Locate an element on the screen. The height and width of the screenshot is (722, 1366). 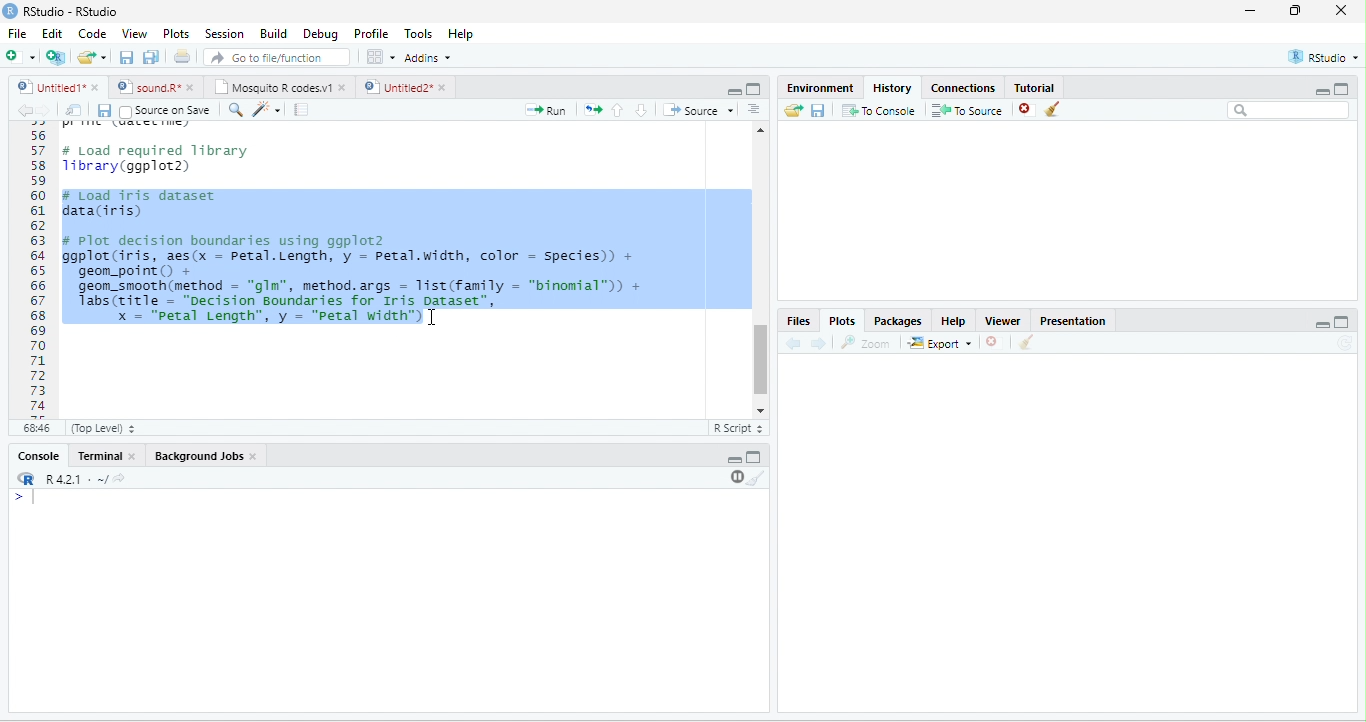
save is located at coordinates (104, 111).